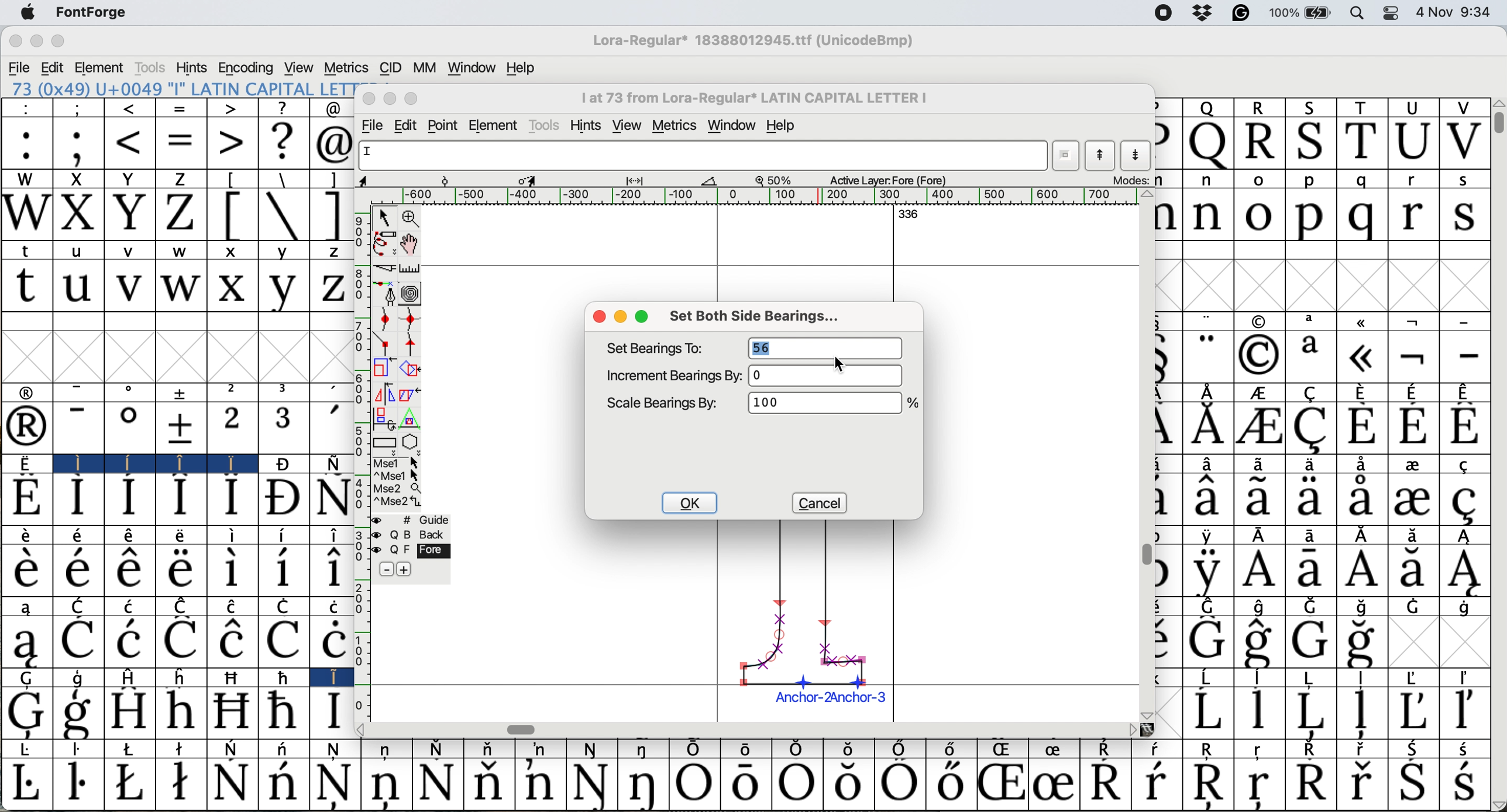 Image resolution: width=1507 pixels, height=812 pixels. I want to click on file, so click(375, 125).